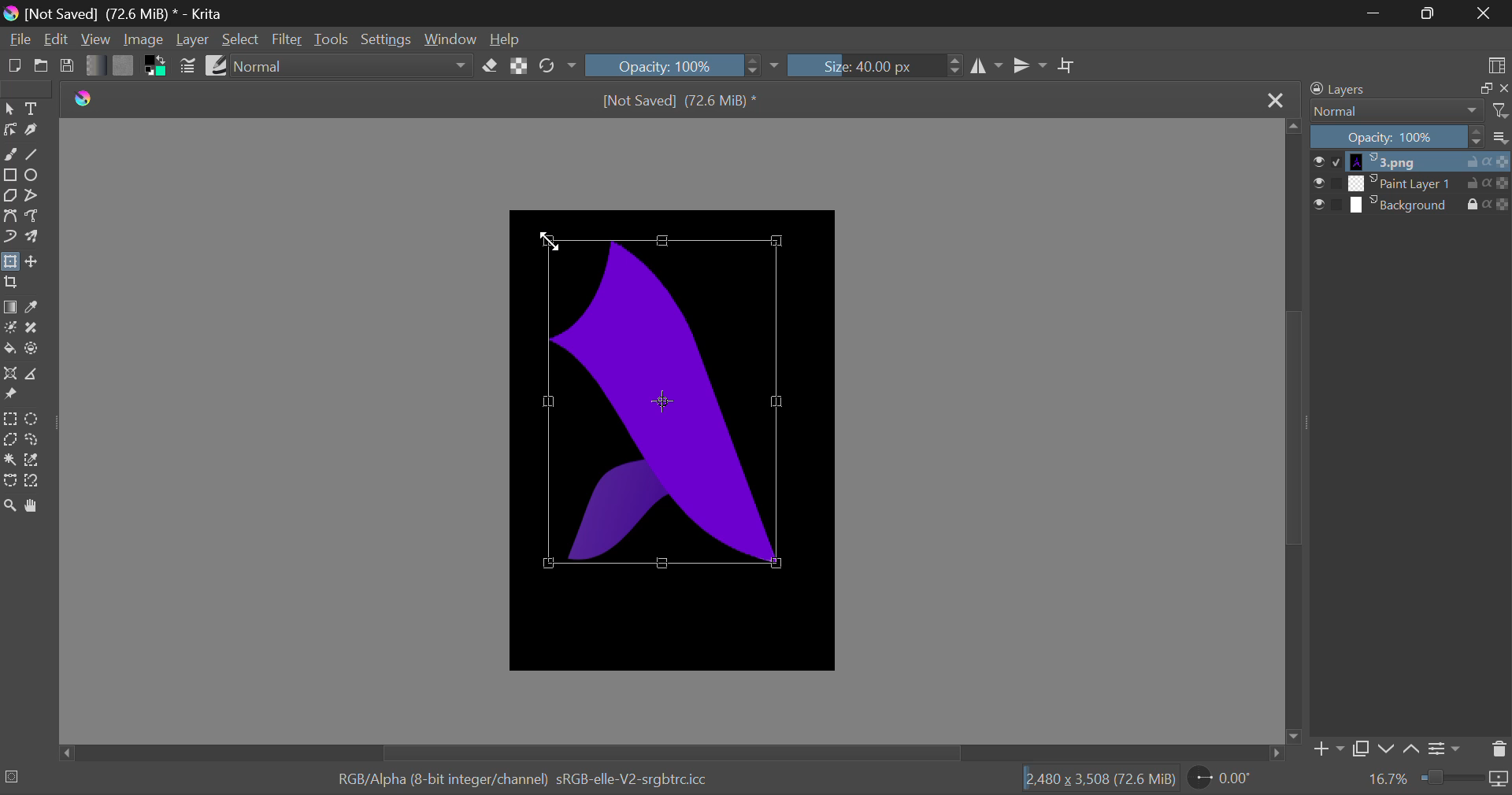 The image size is (1512, 795). What do you see at coordinates (1499, 113) in the screenshot?
I see `filter` at bounding box center [1499, 113].